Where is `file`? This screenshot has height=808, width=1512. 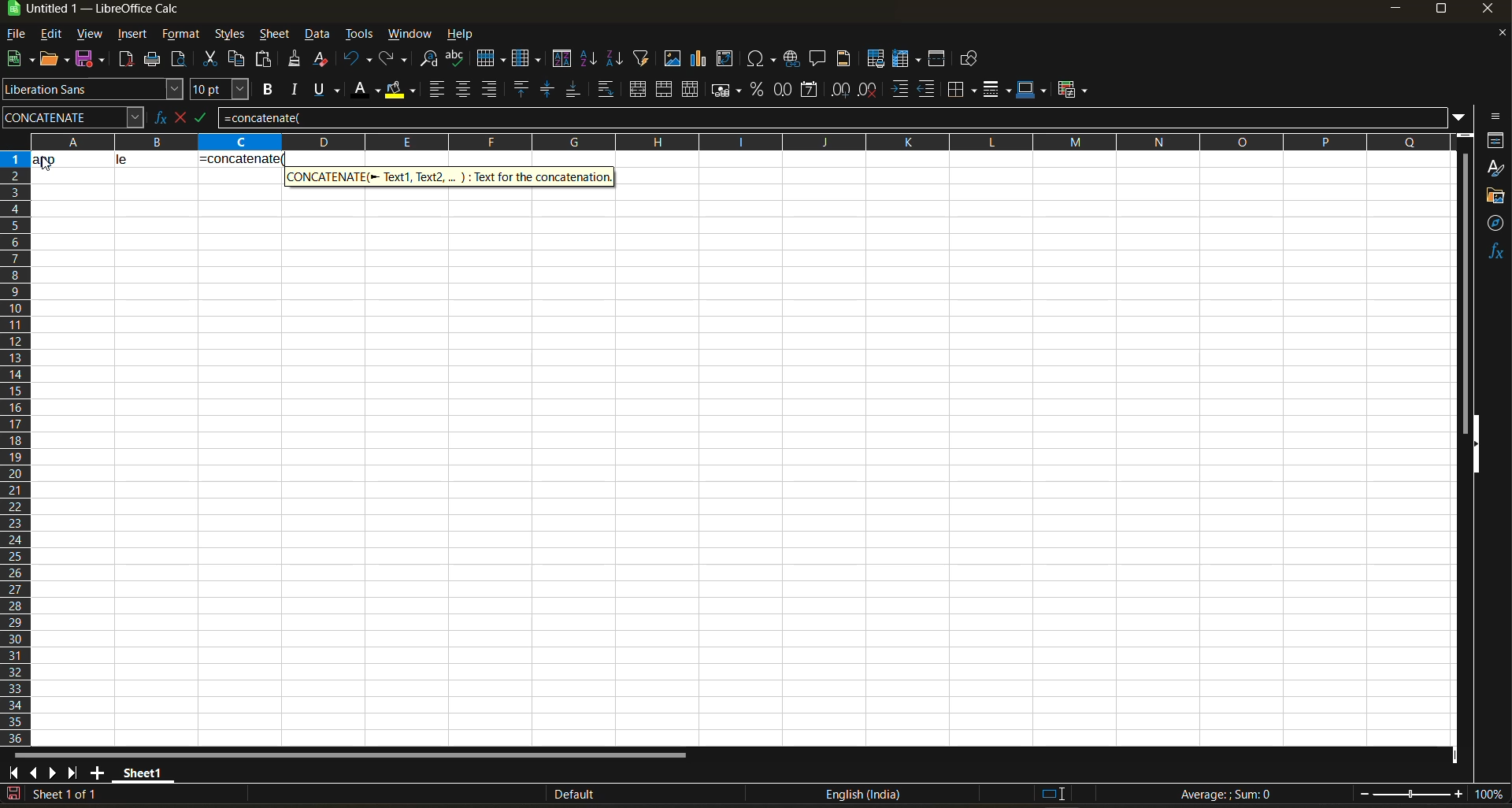 file is located at coordinates (21, 35).